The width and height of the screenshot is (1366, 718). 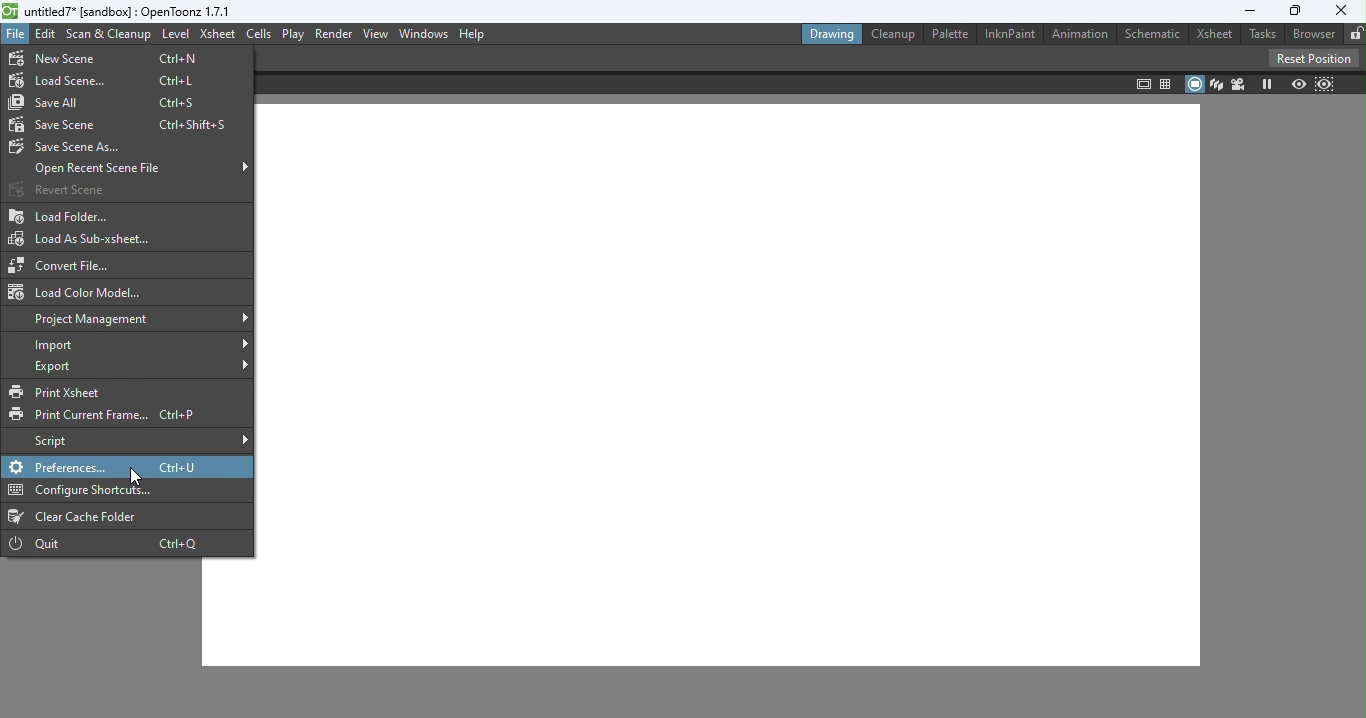 I want to click on Preview, so click(x=1297, y=83).